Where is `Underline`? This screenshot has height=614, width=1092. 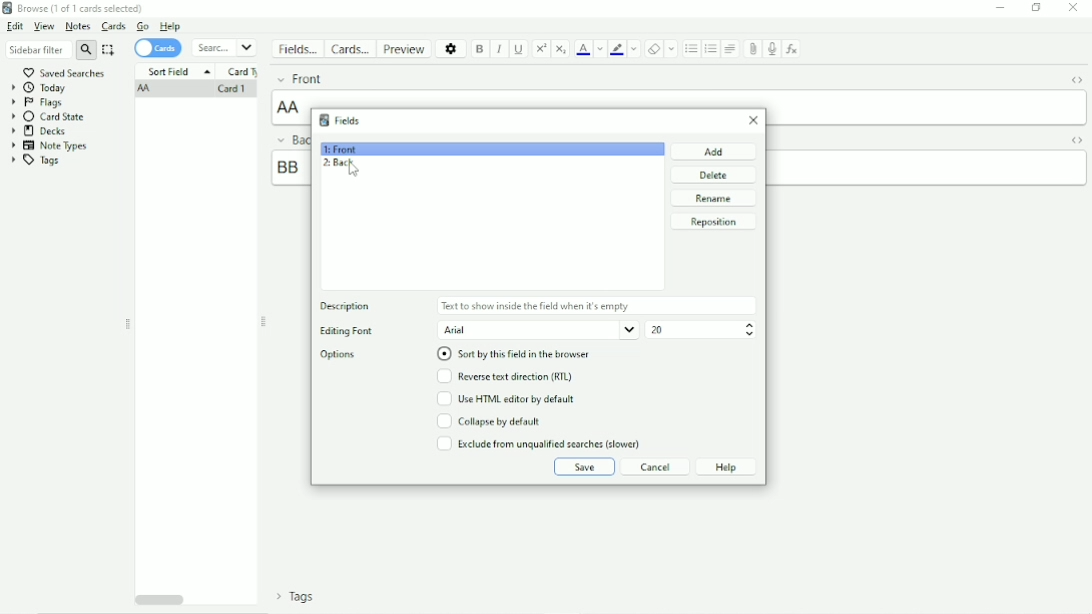
Underline is located at coordinates (519, 49).